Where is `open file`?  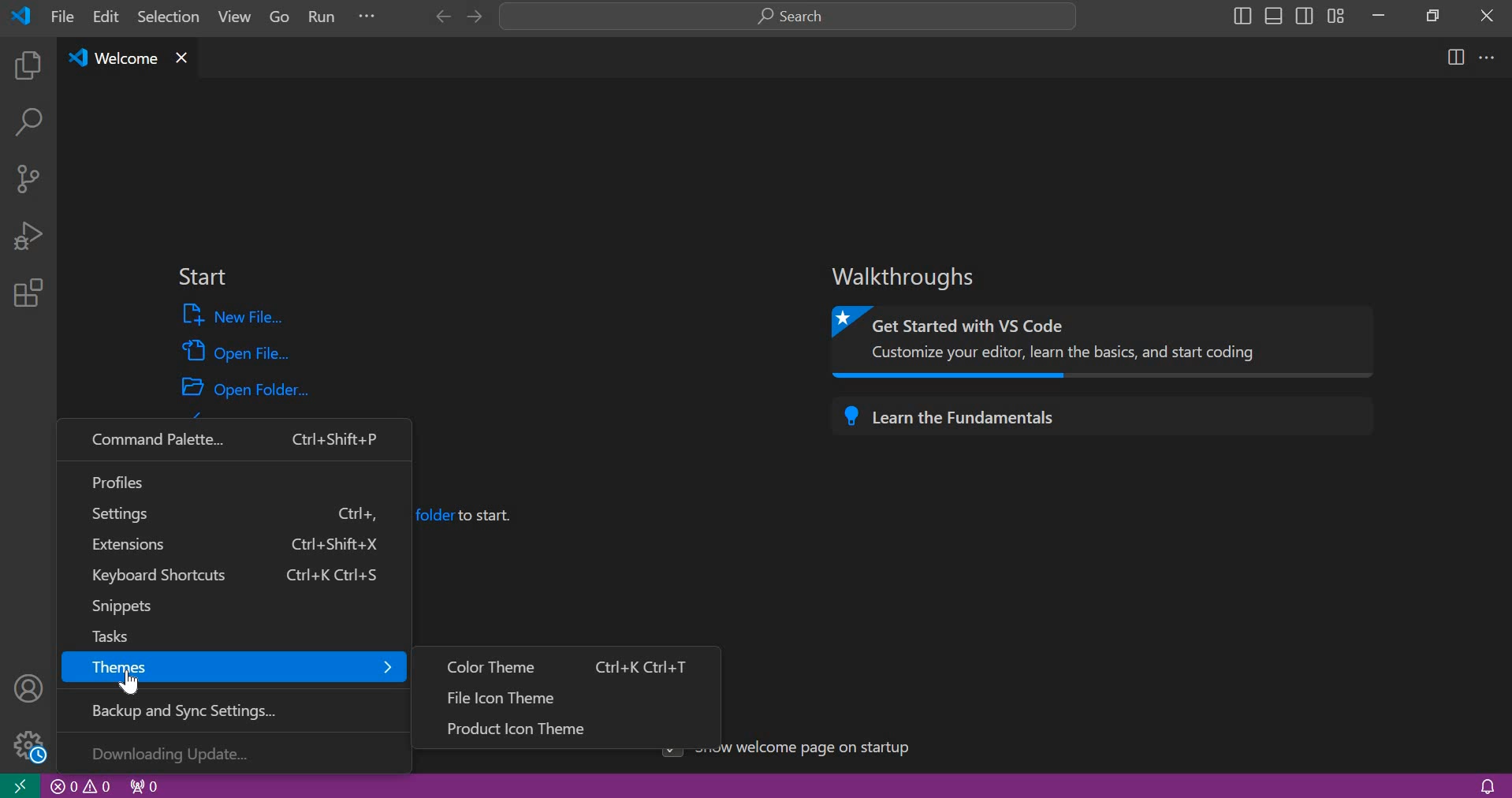 open file is located at coordinates (236, 349).